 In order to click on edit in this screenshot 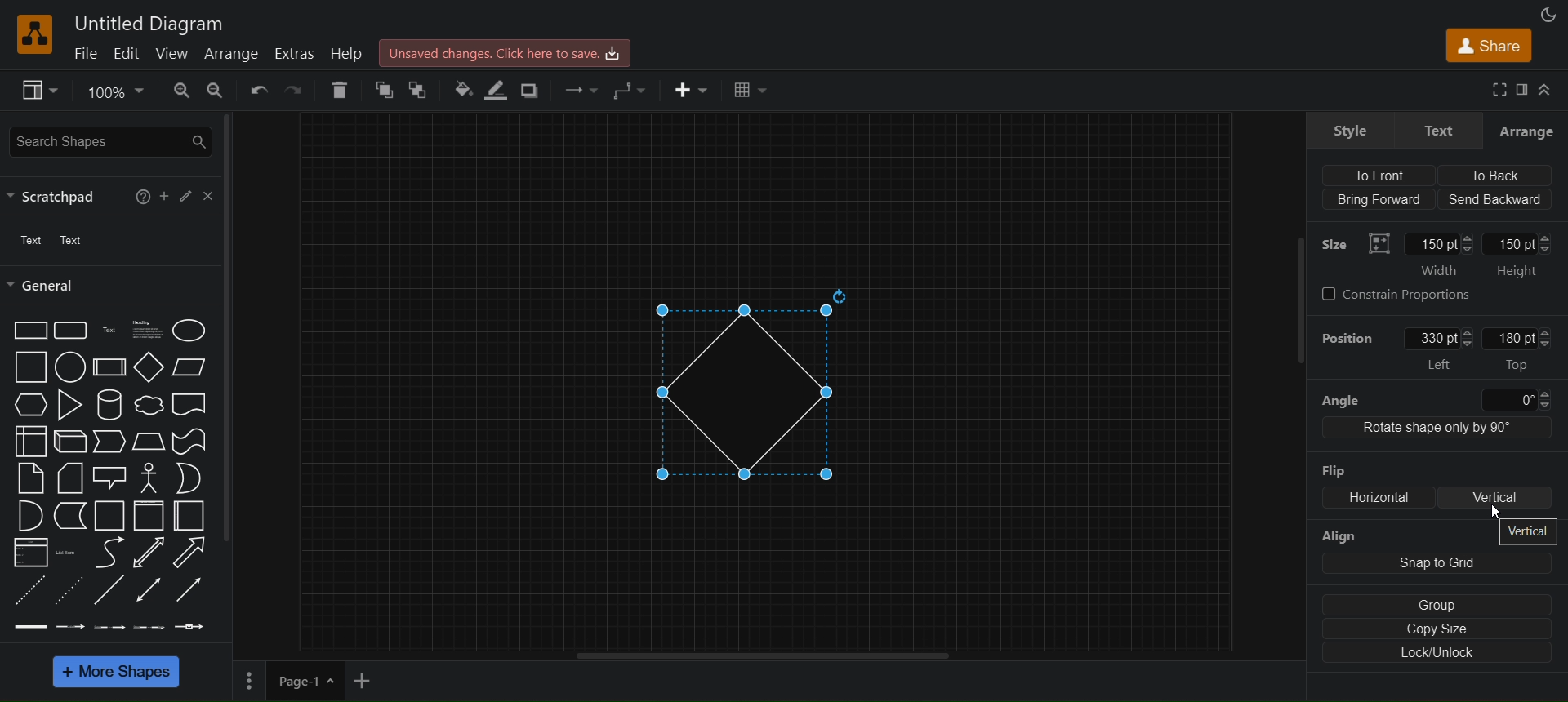, I will do `click(132, 52)`.